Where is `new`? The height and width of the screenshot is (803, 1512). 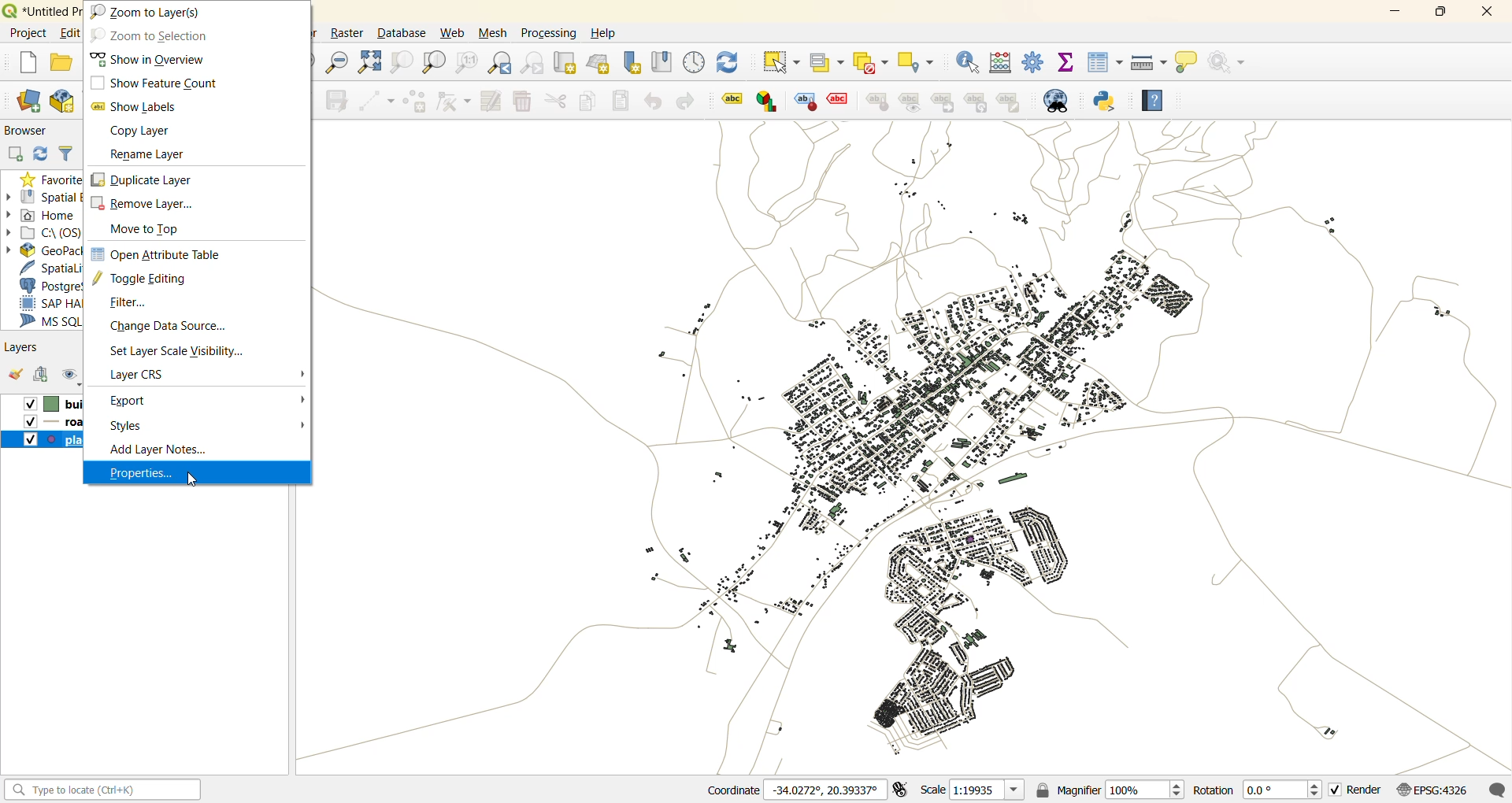
new is located at coordinates (29, 64).